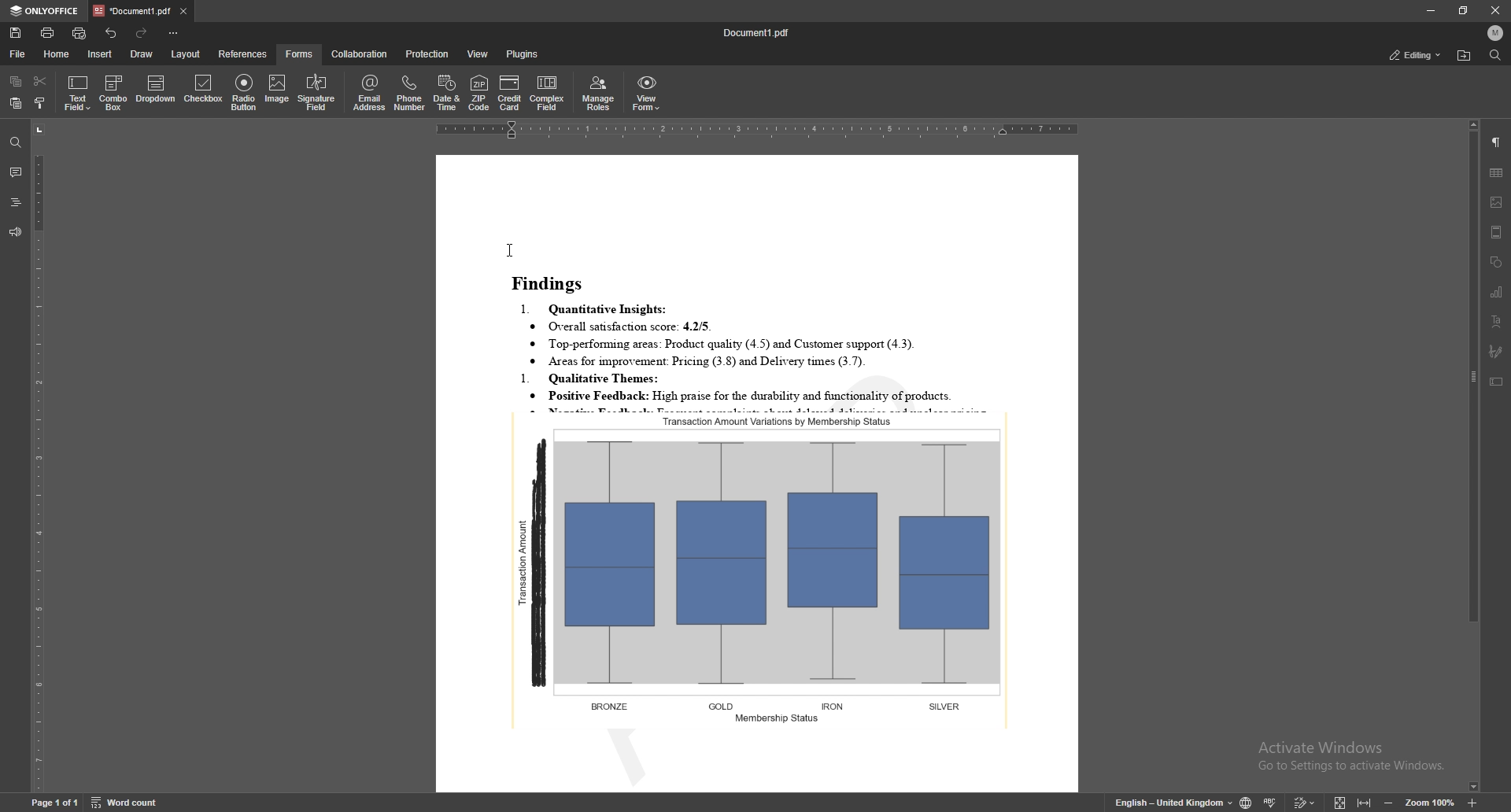  I want to click on onlyoffice, so click(45, 12).